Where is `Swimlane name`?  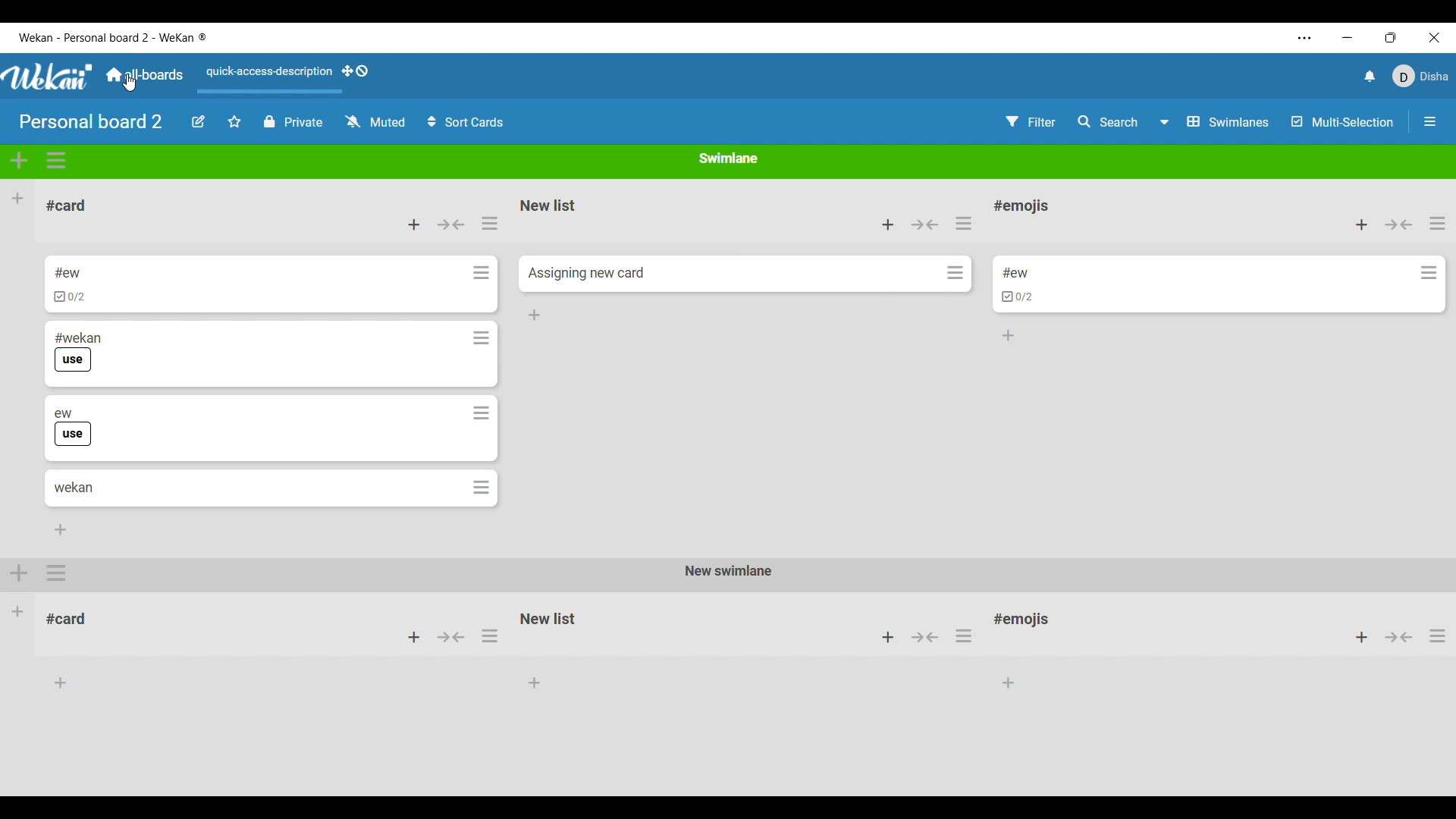 Swimlane name is located at coordinates (729, 157).